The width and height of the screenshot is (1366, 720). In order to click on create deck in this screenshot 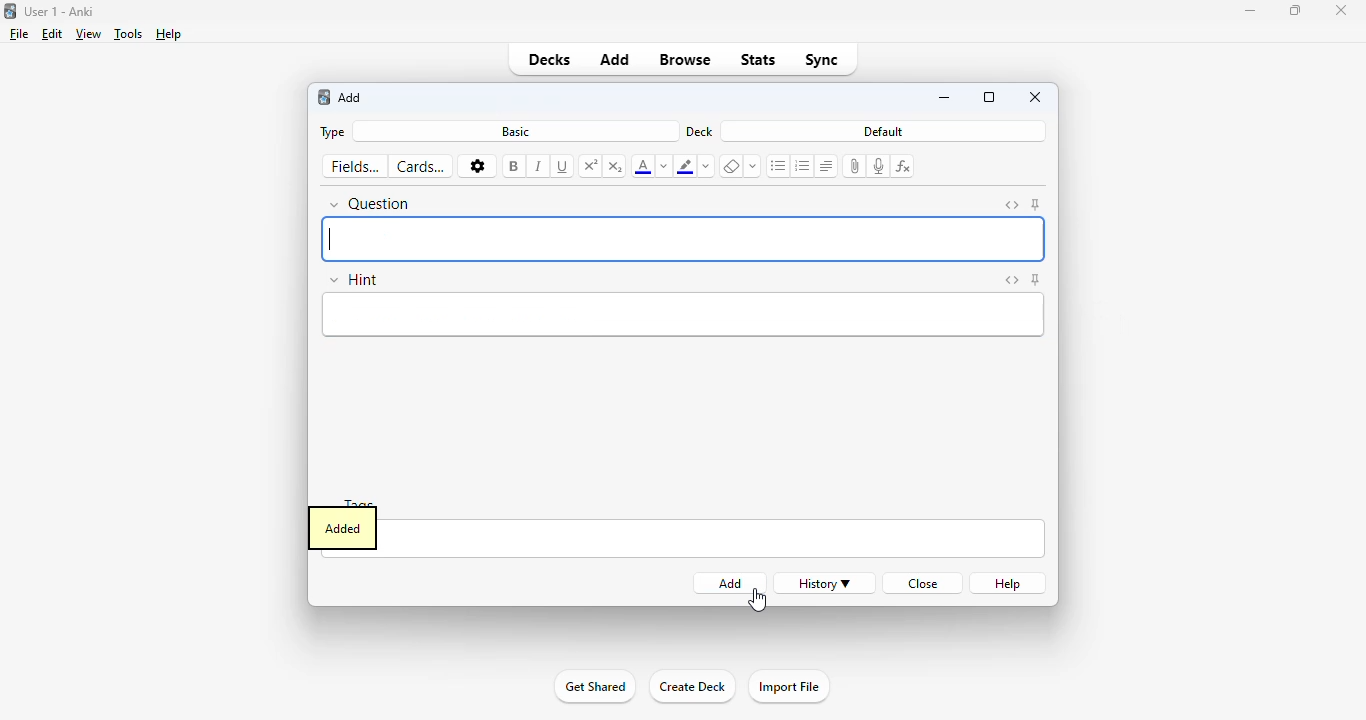, I will do `click(692, 687)`.